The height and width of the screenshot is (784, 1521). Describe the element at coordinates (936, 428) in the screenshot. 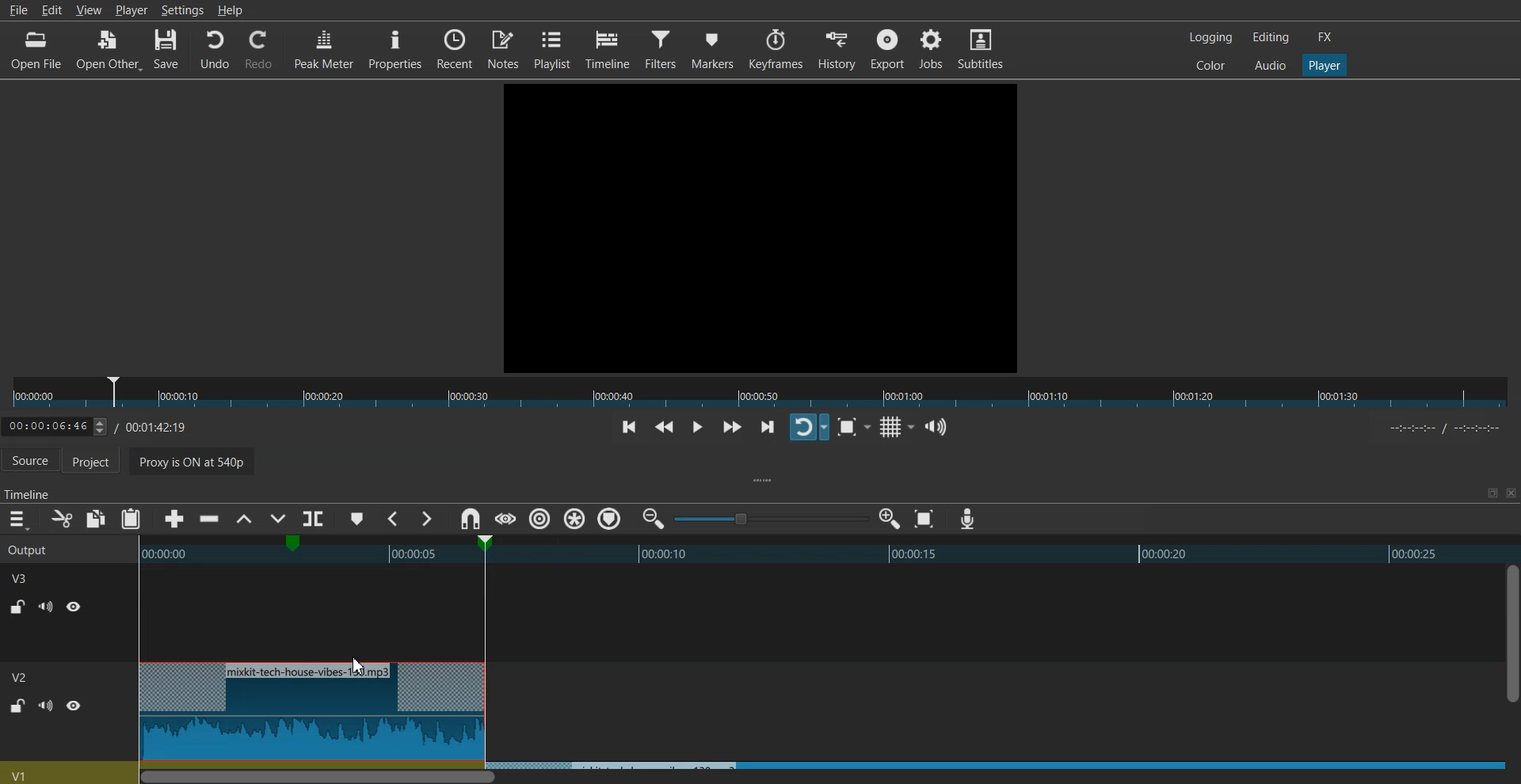

I see `Show the volume control` at that location.